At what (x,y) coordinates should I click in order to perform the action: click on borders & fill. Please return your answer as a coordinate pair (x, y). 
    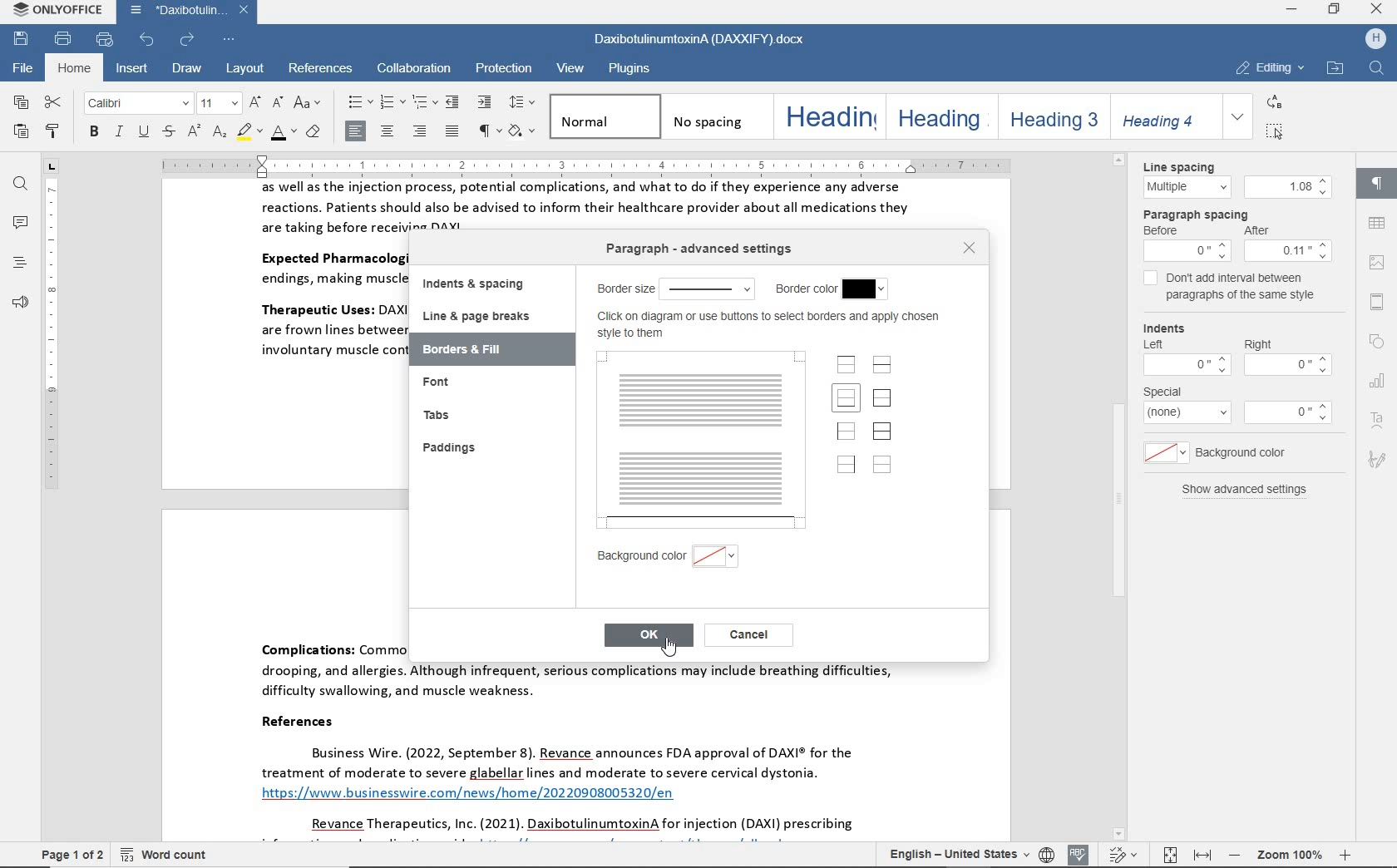
    Looking at the image, I should click on (471, 350).